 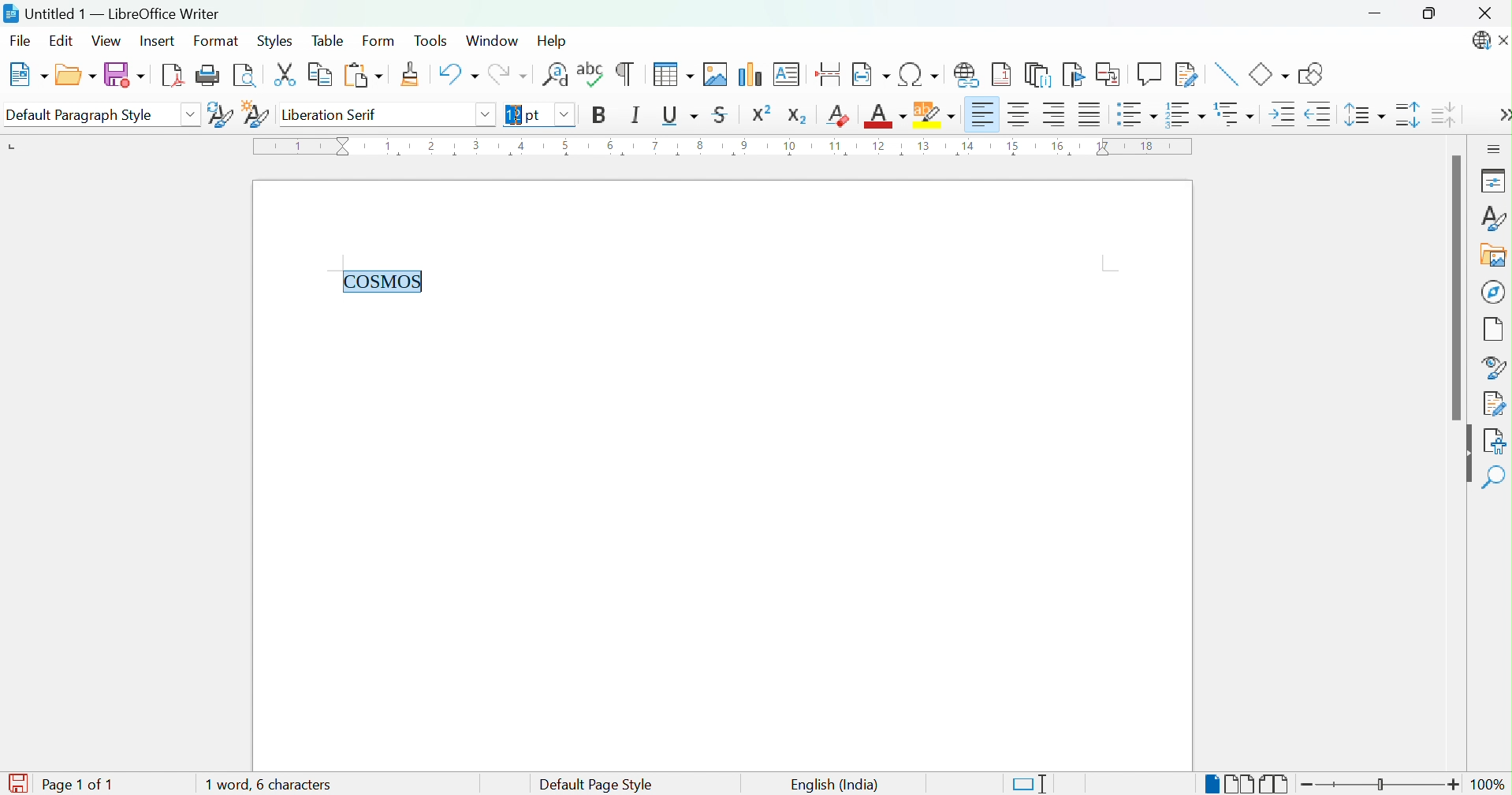 I want to click on Undo, so click(x=456, y=75).